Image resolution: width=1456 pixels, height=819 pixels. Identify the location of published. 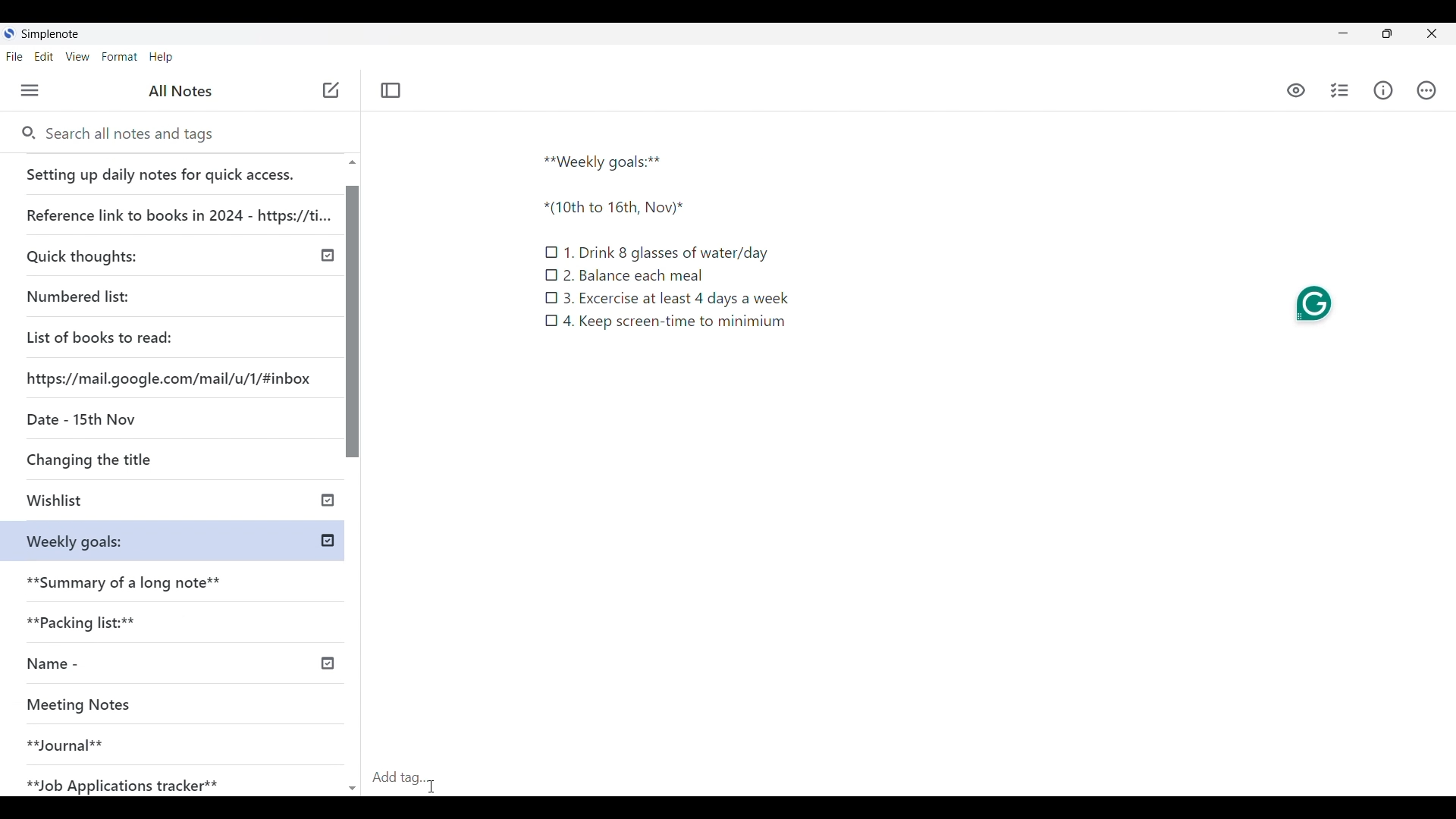
(328, 256).